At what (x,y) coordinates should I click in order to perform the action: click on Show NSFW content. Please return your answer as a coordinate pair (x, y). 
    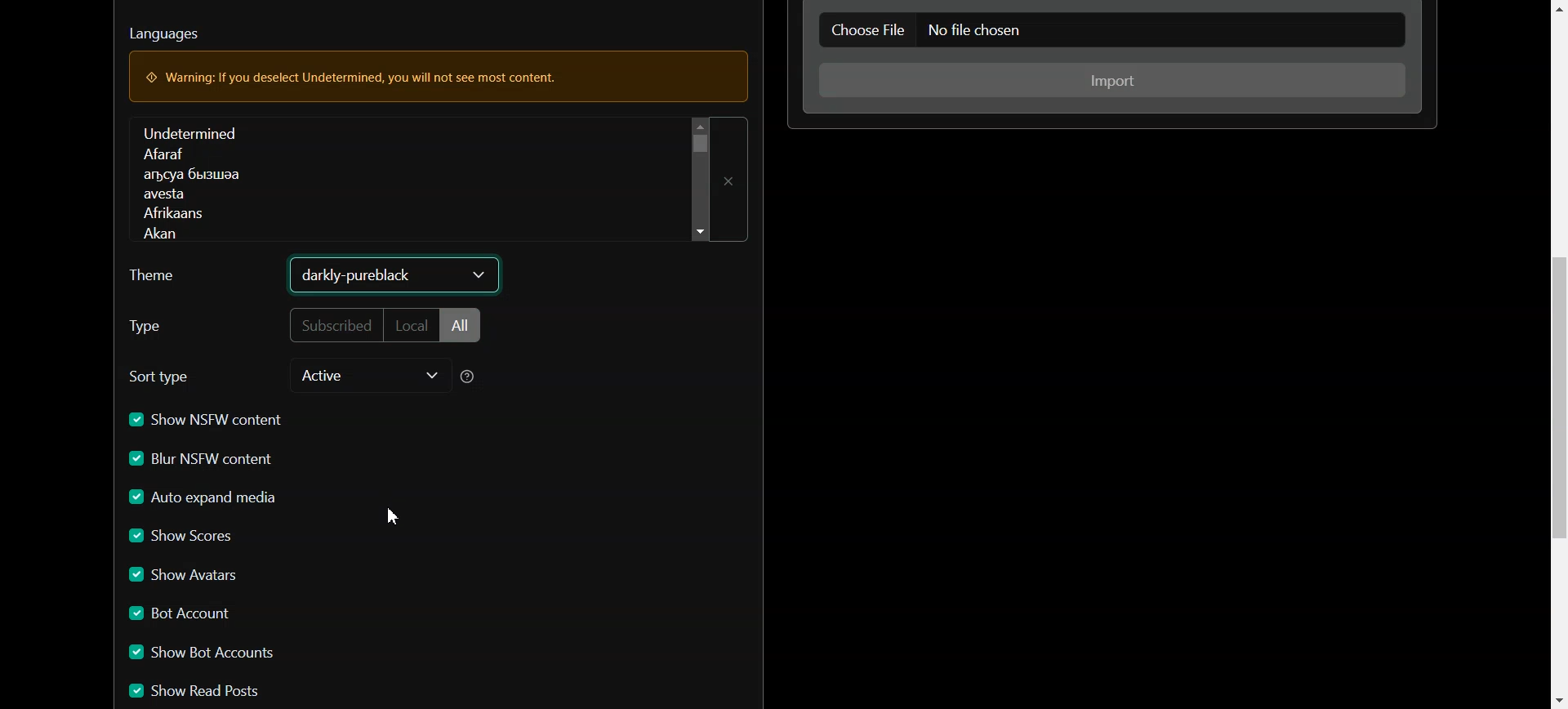
    Looking at the image, I should click on (205, 421).